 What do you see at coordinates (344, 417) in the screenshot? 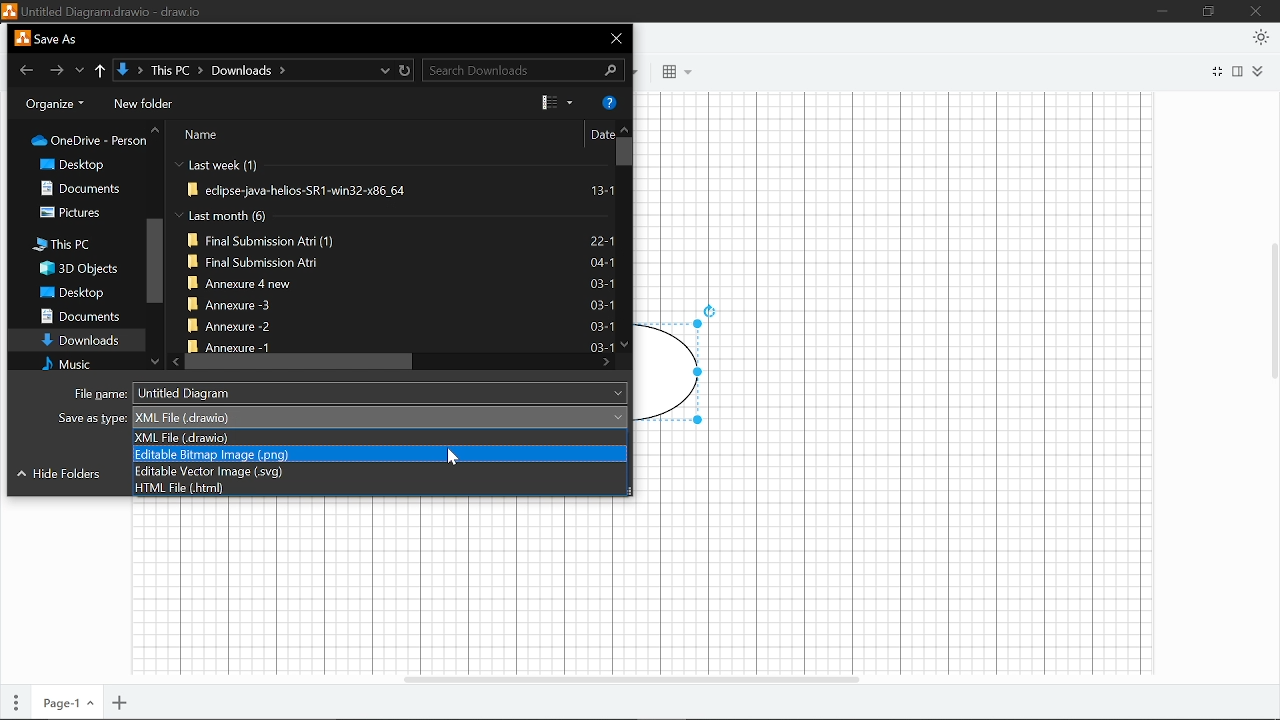
I see `Save file as` at bounding box center [344, 417].